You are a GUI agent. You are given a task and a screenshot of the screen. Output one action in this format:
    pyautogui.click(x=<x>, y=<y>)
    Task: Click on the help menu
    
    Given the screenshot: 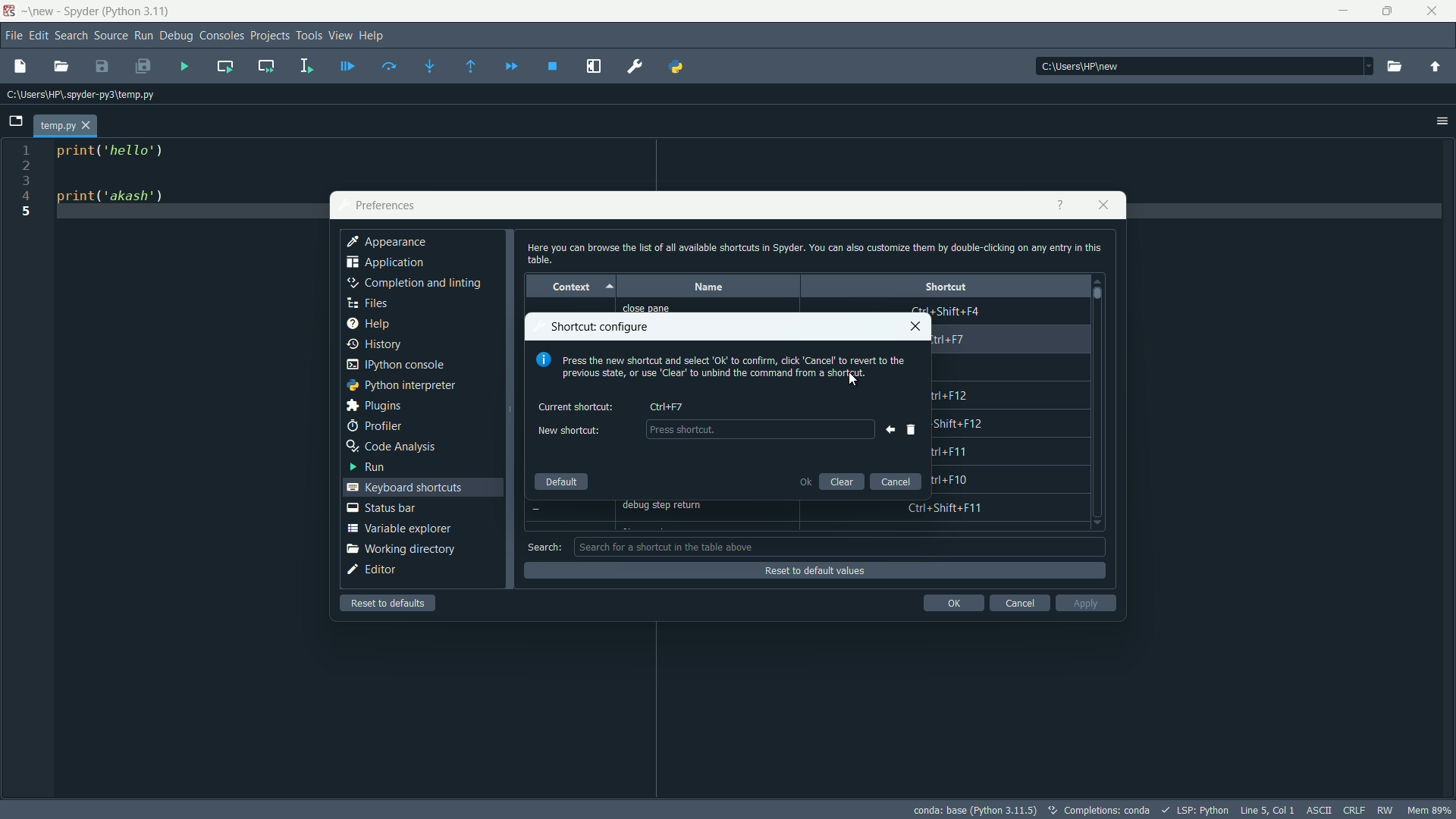 What is the action you would take?
    pyautogui.click(x=372, y=35)
    